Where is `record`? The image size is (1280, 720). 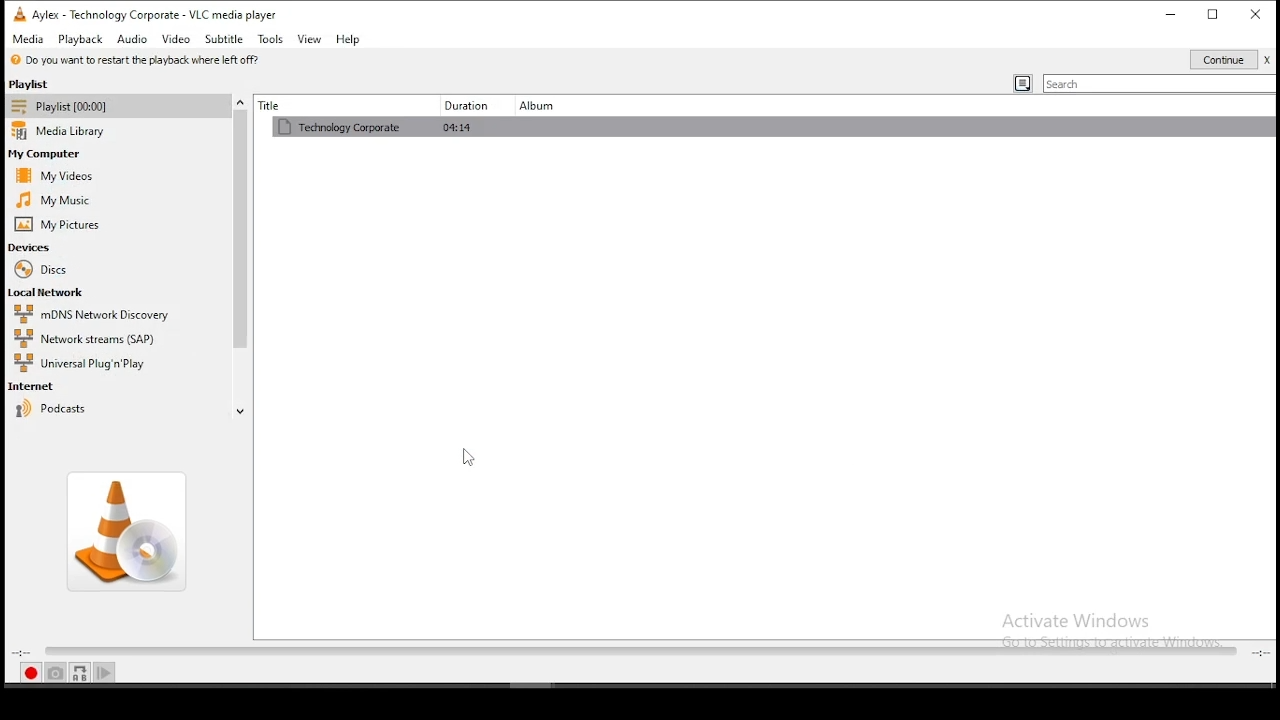 record is located at coordinates (30, 674).